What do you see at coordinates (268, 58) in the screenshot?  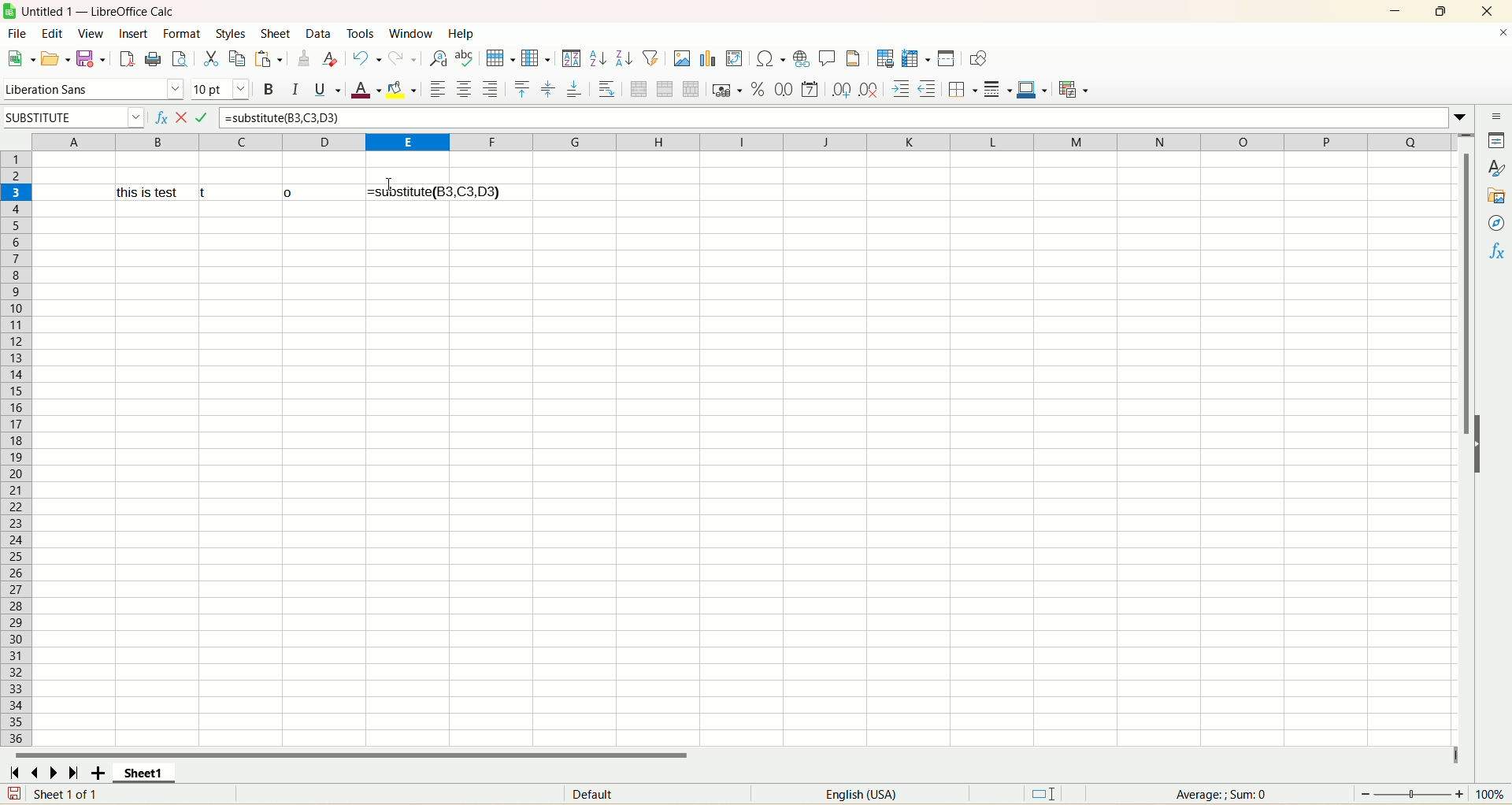 I see `paste` at bounding box center [268, 58].